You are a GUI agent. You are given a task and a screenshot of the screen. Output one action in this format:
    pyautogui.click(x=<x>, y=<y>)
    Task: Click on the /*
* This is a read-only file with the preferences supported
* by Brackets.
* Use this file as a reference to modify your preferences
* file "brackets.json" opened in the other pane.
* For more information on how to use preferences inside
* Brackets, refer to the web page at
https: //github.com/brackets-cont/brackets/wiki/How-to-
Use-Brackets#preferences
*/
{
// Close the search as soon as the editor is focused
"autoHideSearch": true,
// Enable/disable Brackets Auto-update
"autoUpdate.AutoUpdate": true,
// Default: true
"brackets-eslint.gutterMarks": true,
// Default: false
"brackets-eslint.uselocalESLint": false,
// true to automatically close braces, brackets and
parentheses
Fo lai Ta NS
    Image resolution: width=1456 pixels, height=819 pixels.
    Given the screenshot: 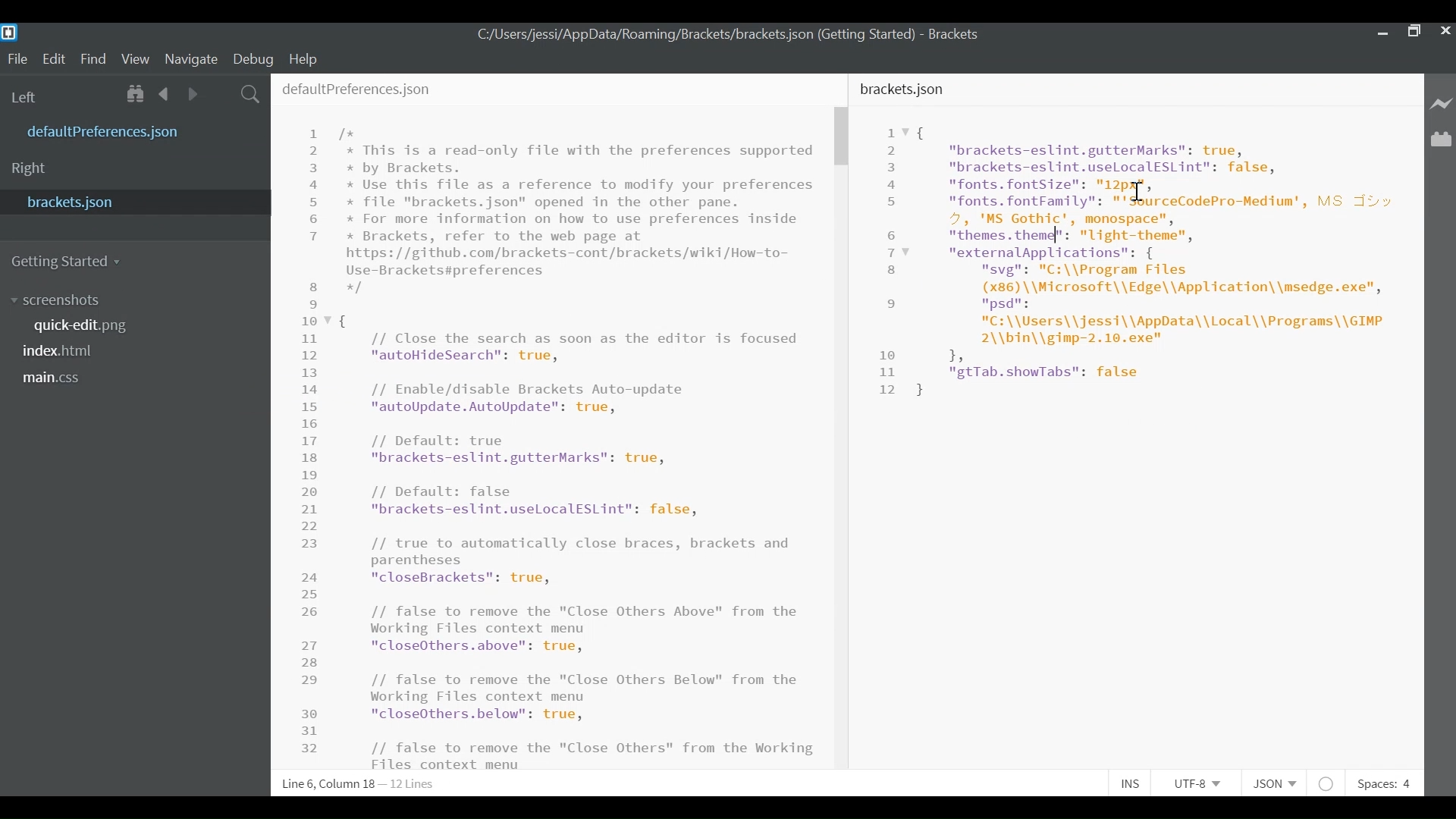 What is the action you would take?
    pyautogui.click(x=577, y=438)
    